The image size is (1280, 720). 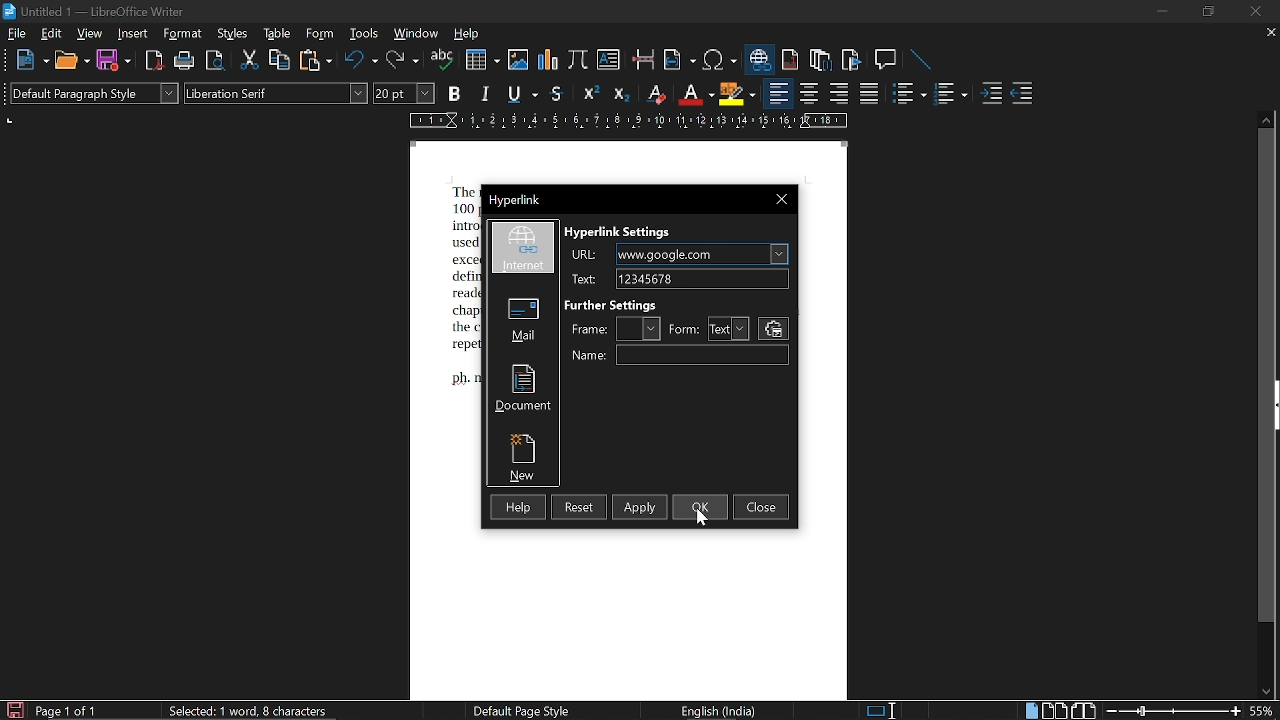 What do you see at coordinates (33, 60) in the screenshot?
I see `new` at bounding box center [33, 60].